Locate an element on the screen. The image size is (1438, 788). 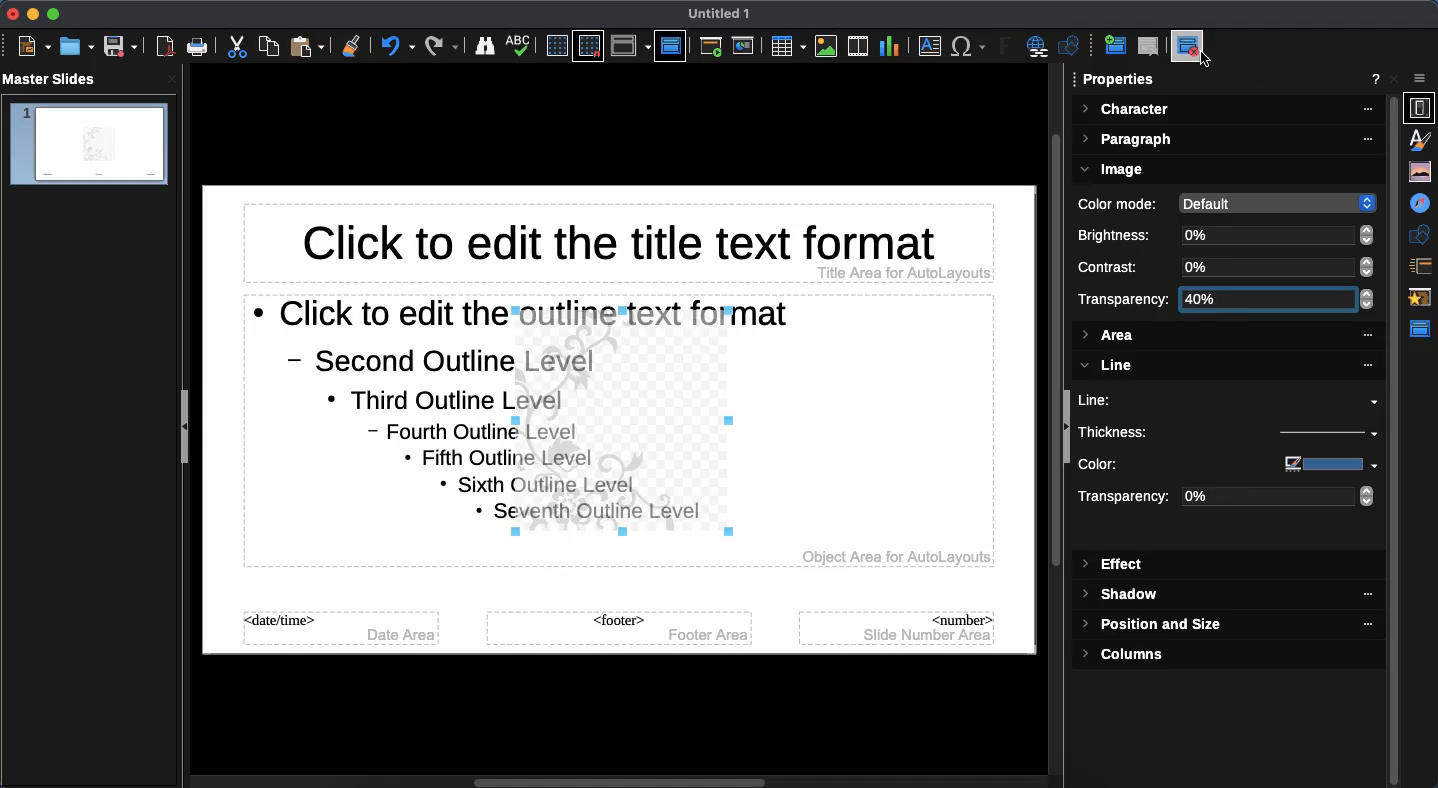
Save is located at coordinates (119, 47).